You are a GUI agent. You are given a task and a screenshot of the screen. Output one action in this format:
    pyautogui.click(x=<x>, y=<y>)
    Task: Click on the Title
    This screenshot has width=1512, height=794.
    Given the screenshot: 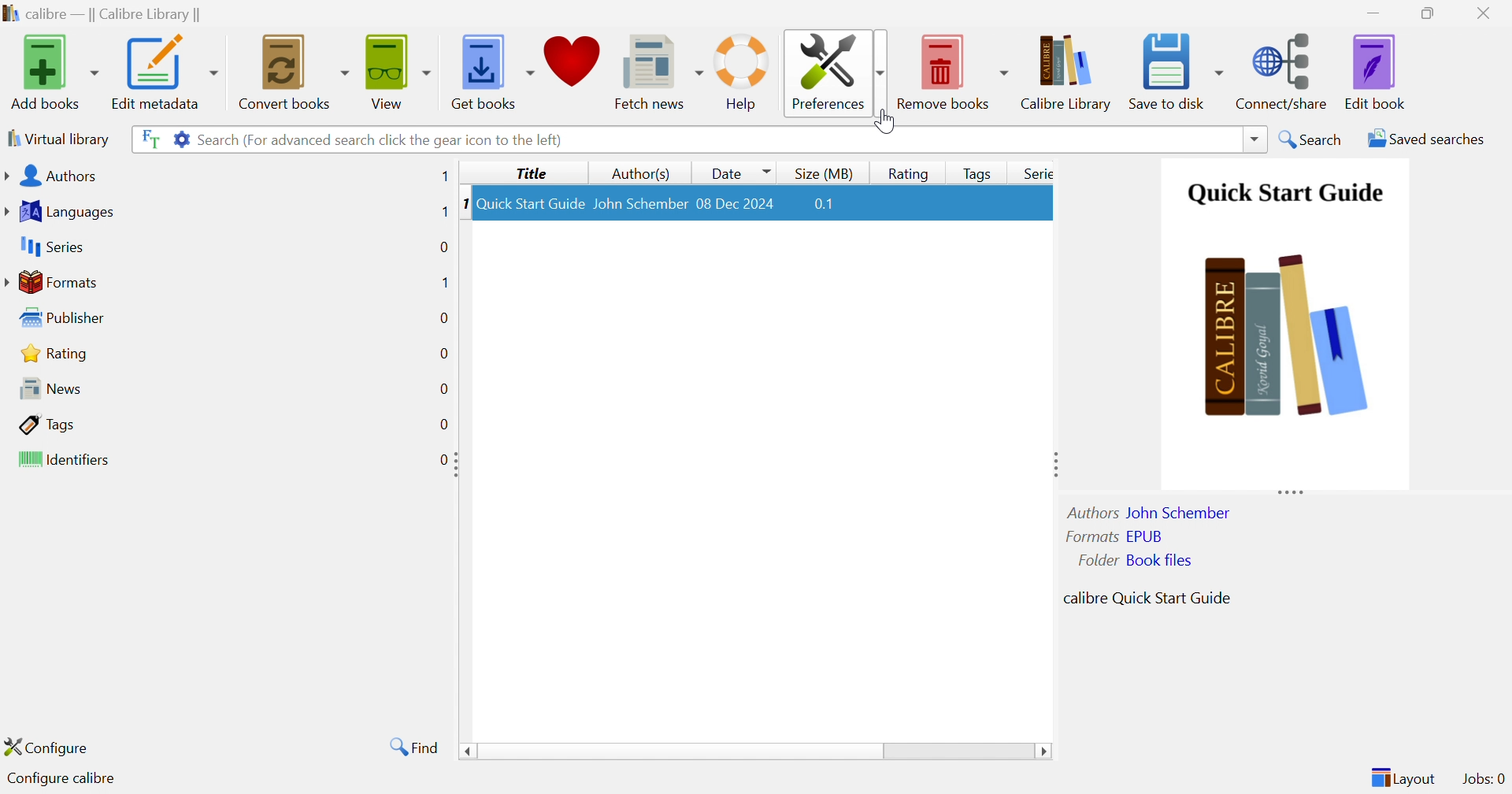 What is the action you would take?
    pyautogui.click(x=535, y=173)
    